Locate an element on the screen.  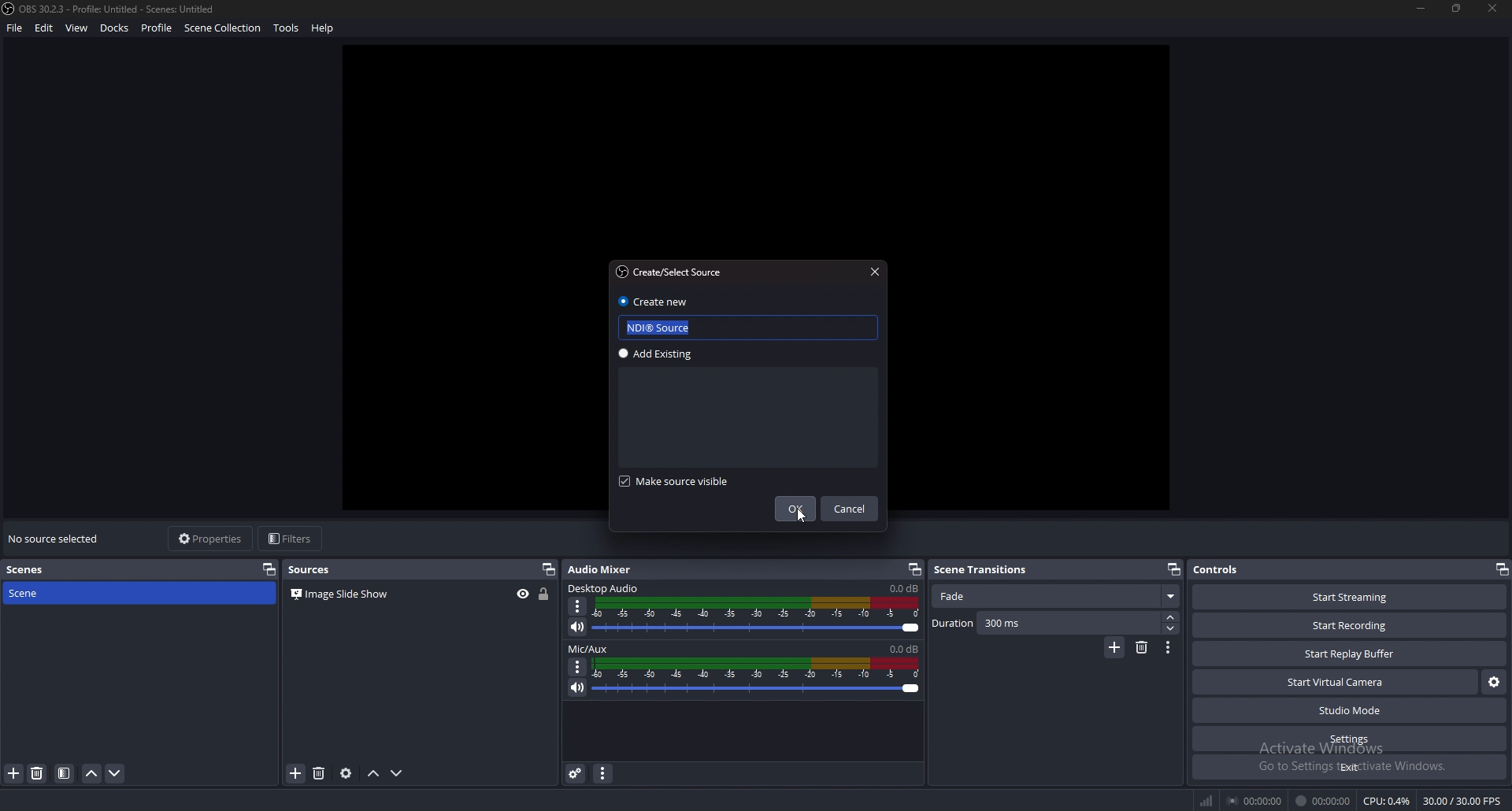
move source up is located at coordinates (374, 774).